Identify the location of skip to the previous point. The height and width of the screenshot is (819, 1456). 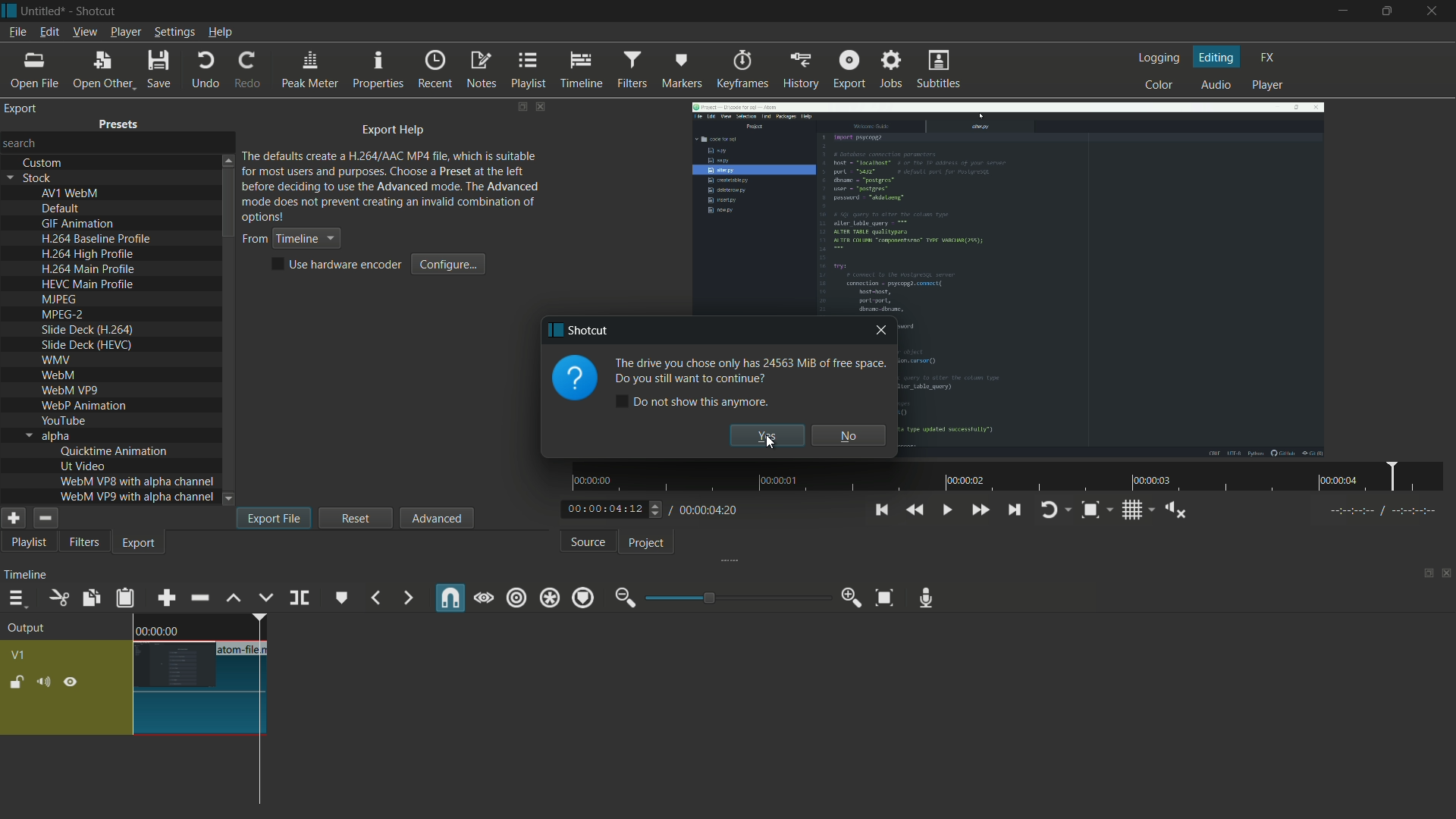
(880, 510).